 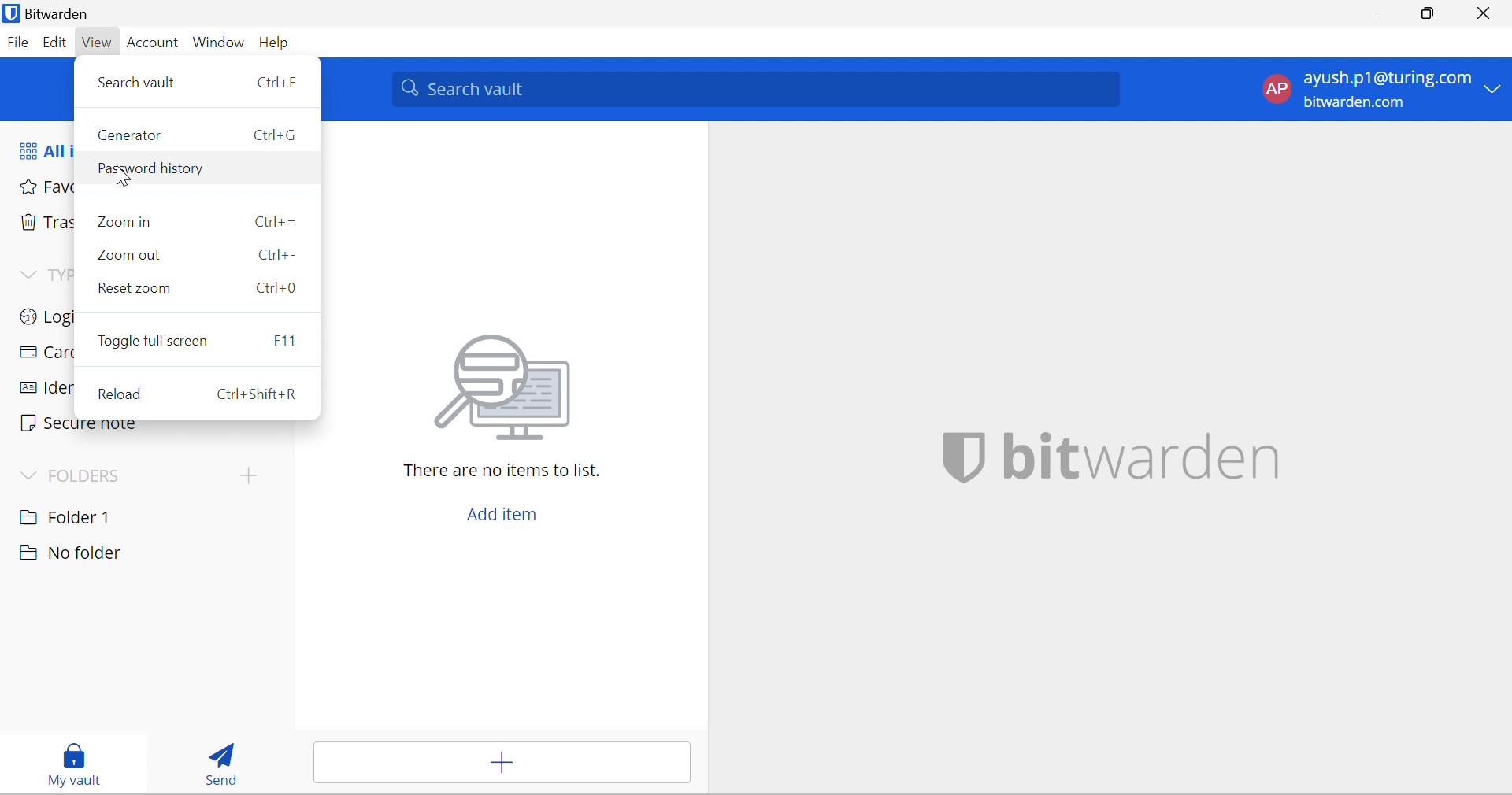 What do you see at coordinates (198, 254) in the screenshot?
I see `zoom out` at bounding box center [198, 254].